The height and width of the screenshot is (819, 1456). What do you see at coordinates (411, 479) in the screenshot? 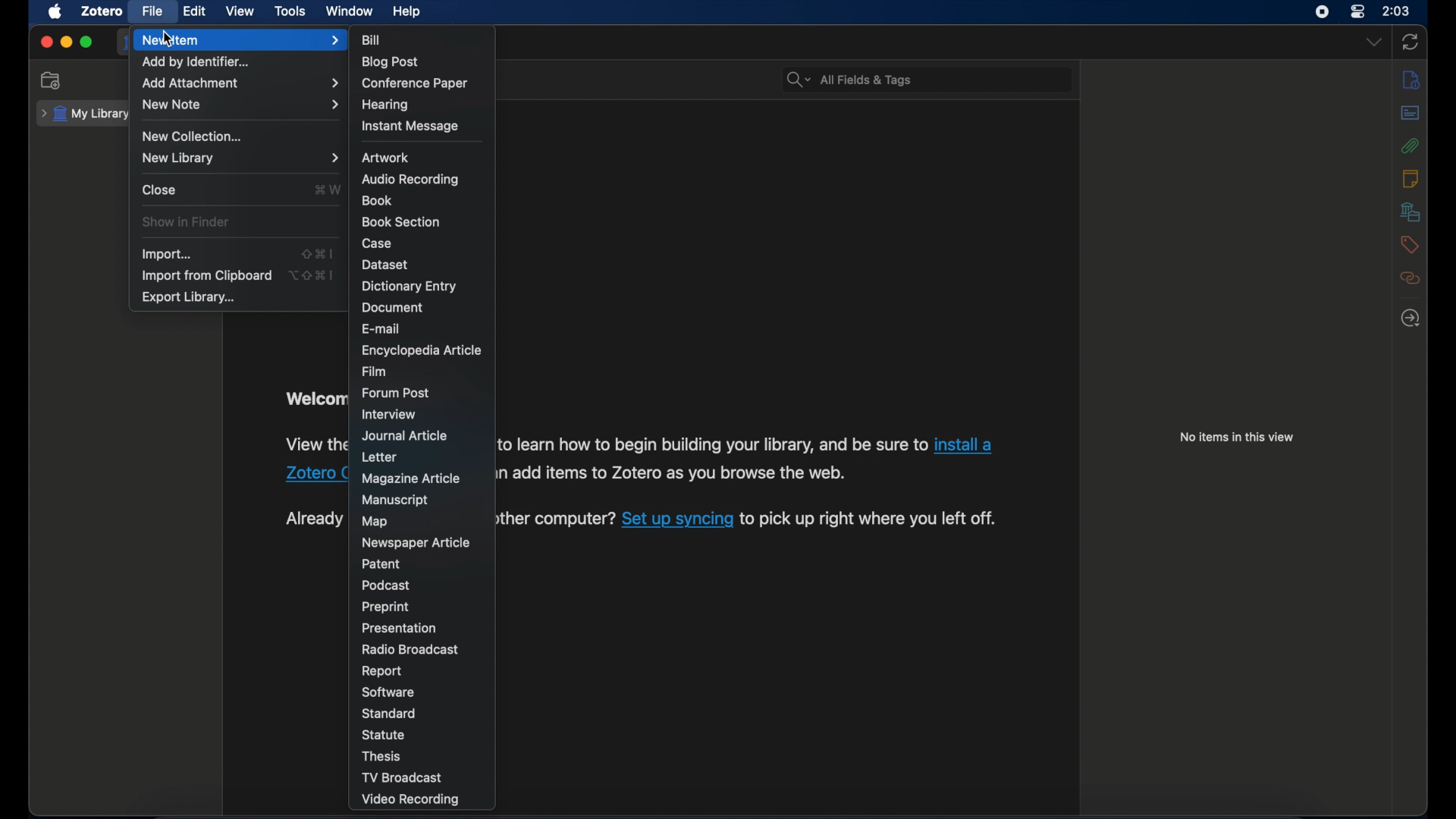
I see `magazine article` at bounding box center [411, 479].